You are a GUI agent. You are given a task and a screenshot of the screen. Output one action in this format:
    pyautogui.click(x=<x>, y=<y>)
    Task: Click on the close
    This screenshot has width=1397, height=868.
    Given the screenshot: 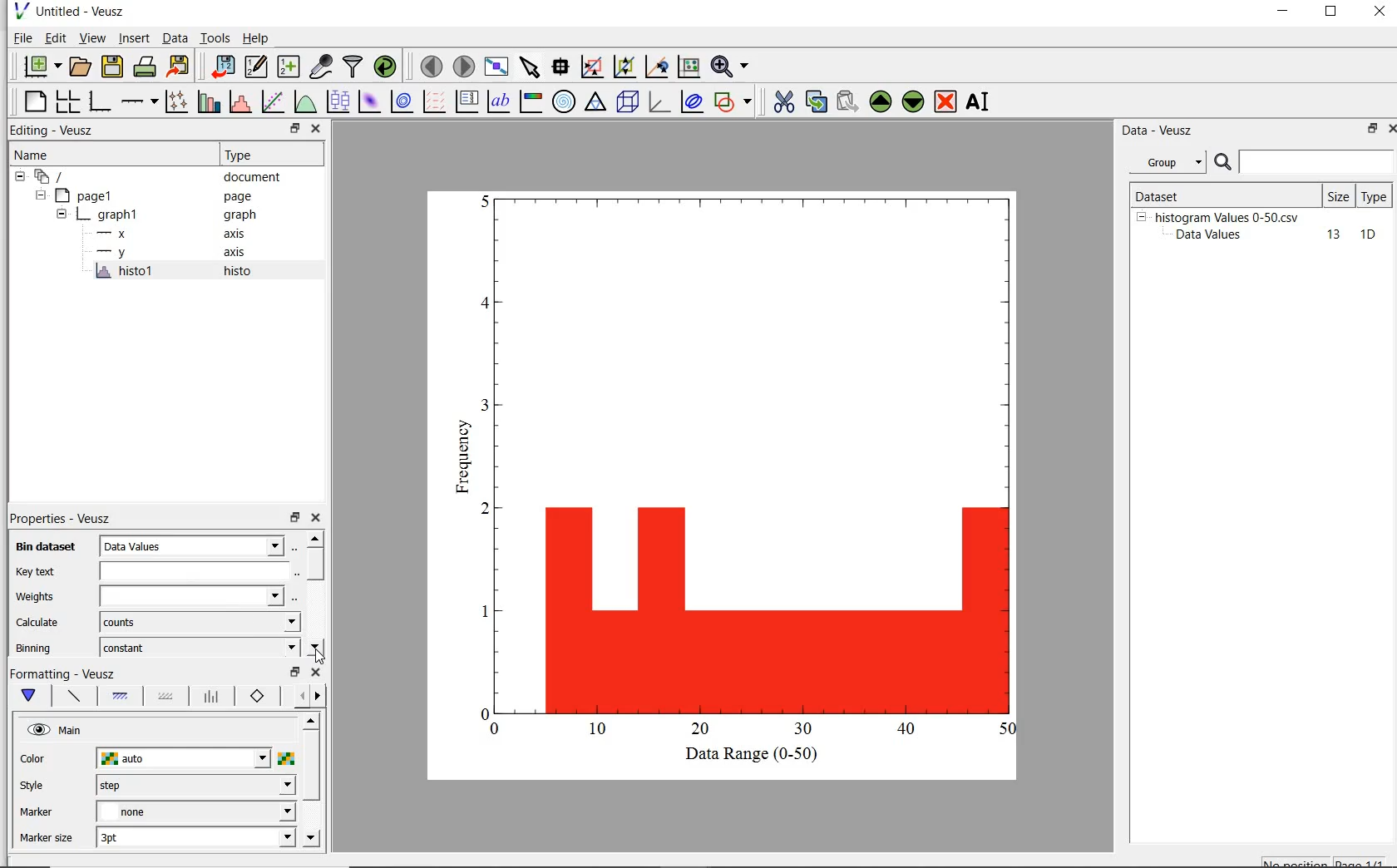 What is the action you would take?
    pyautogui.click(x=315, y=673)
    